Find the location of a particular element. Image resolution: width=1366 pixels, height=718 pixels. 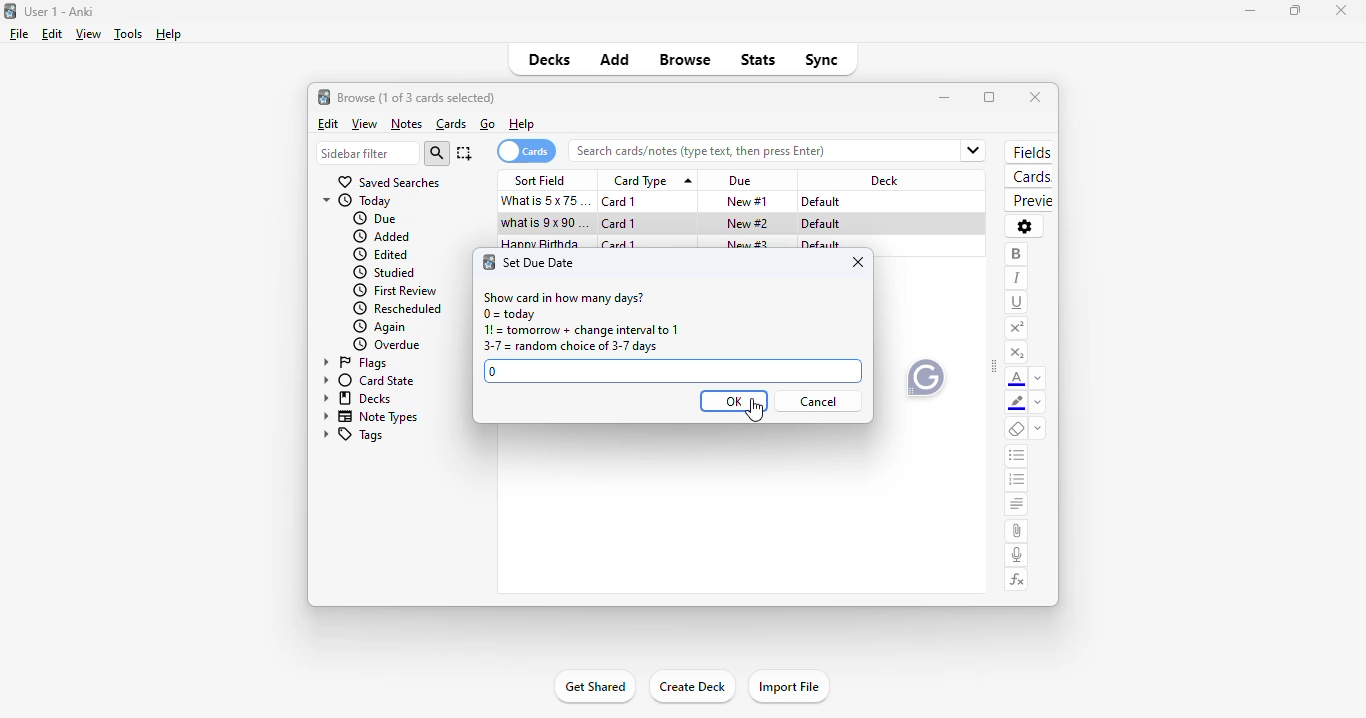

new #1 is located at coordinates (748, 202).